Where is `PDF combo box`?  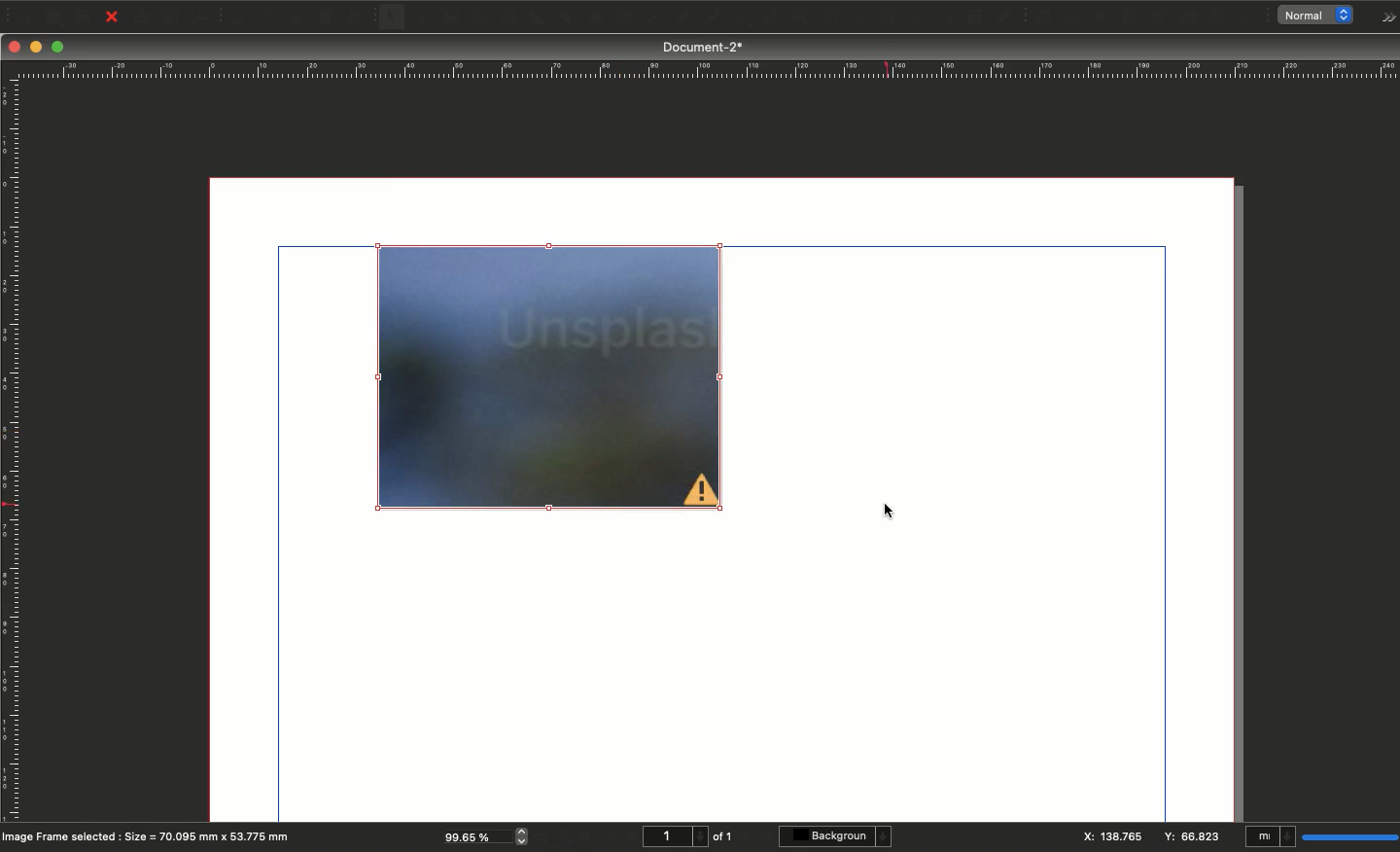
PDF combo box is located at coordinates (1157, 18).